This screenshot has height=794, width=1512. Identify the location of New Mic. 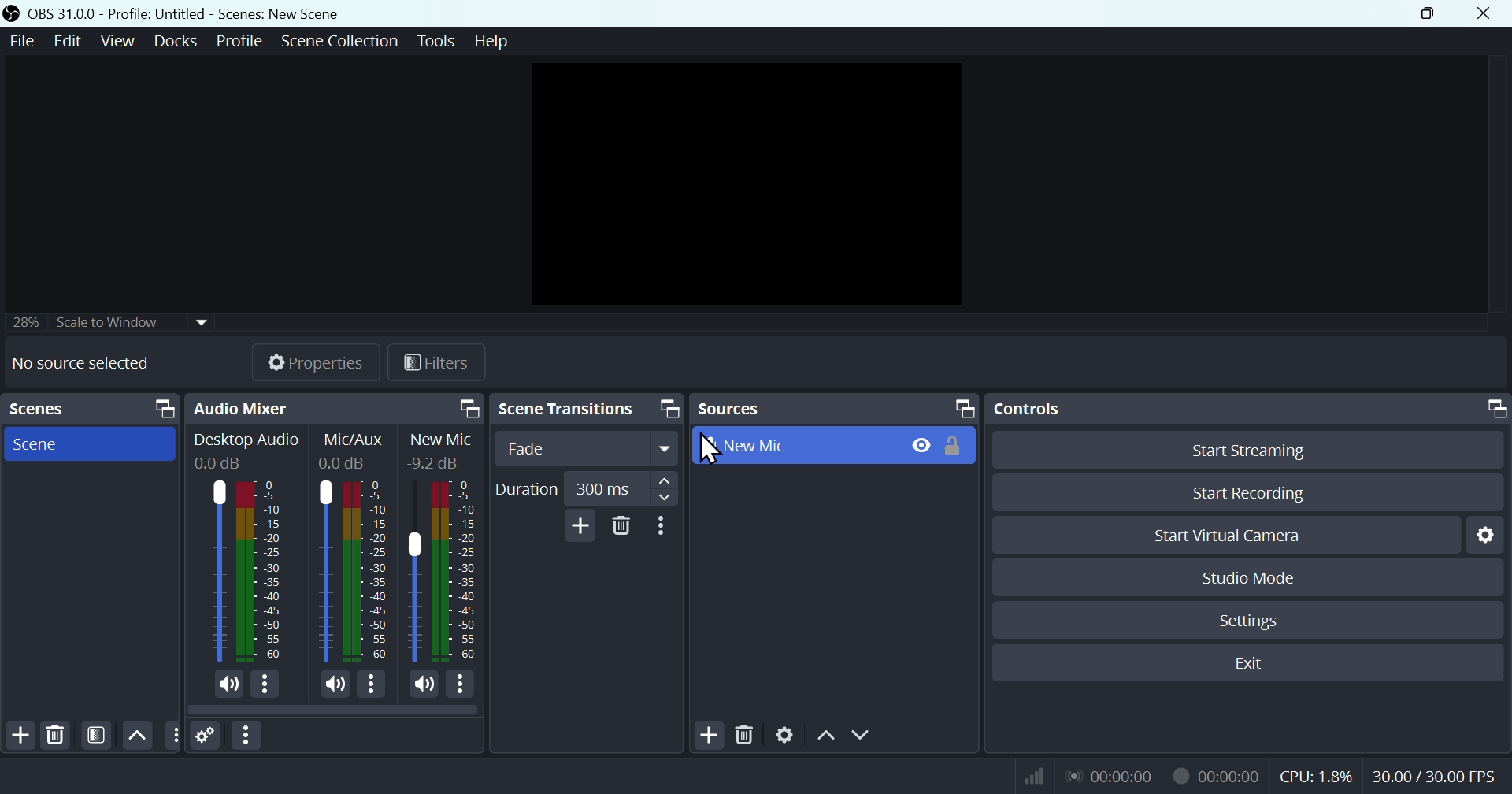
(443, 440).